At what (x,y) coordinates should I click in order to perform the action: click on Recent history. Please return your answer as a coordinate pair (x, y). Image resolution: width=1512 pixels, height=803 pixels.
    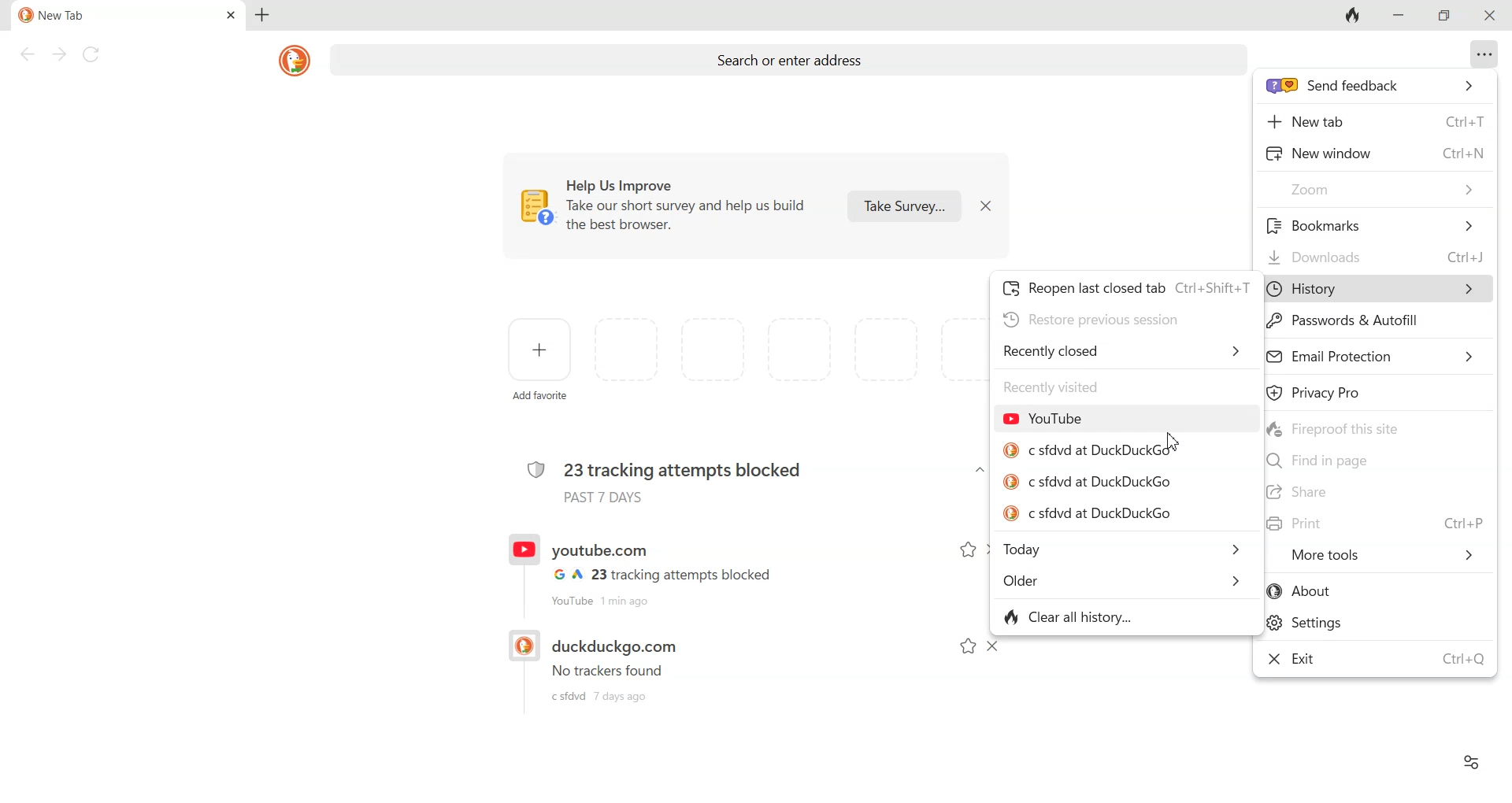
    Looking at the image, I should click on (660, 665).